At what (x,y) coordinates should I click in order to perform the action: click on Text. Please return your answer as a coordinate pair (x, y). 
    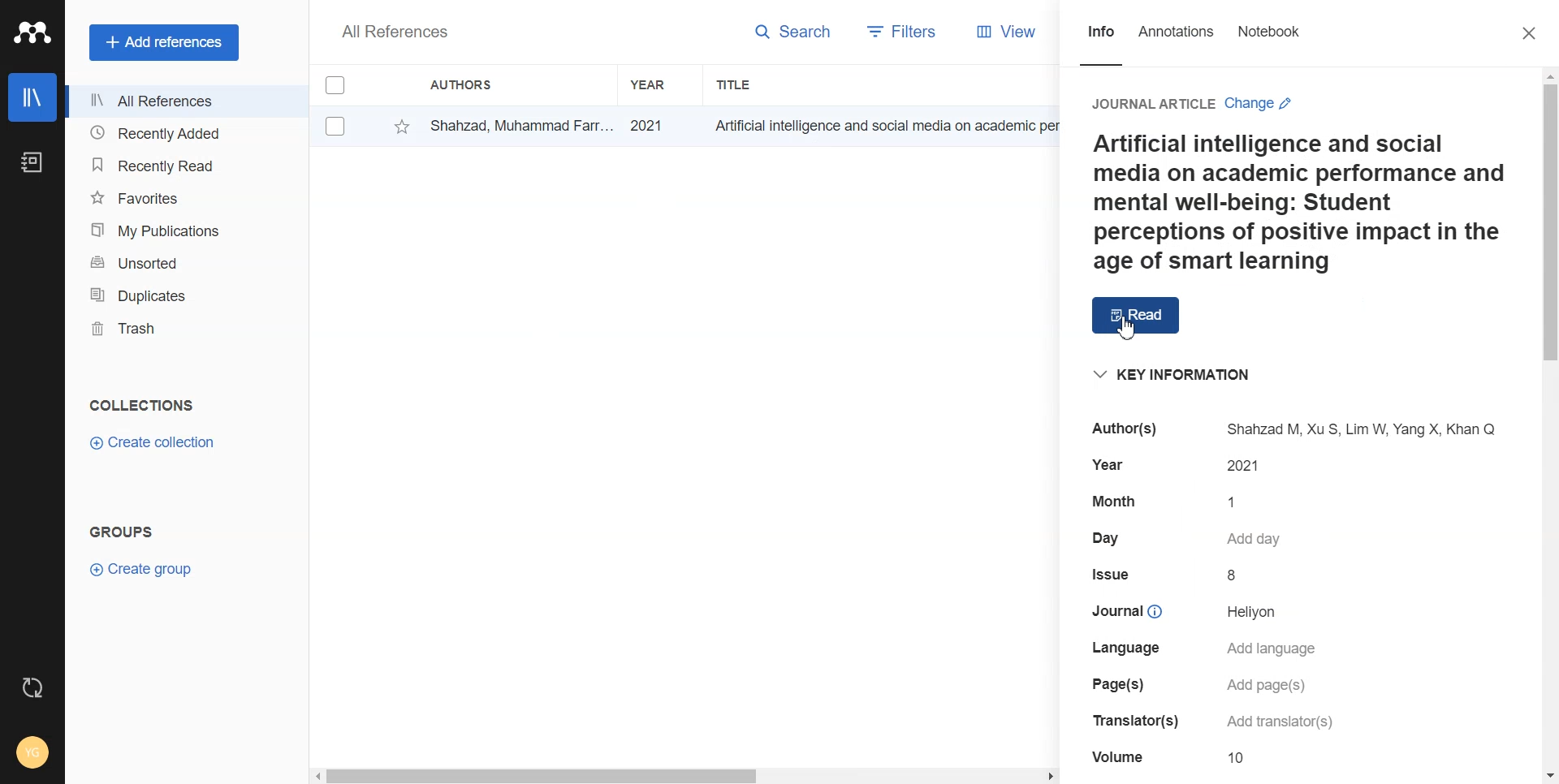
    Looking at the image, I should click on (393, 33).